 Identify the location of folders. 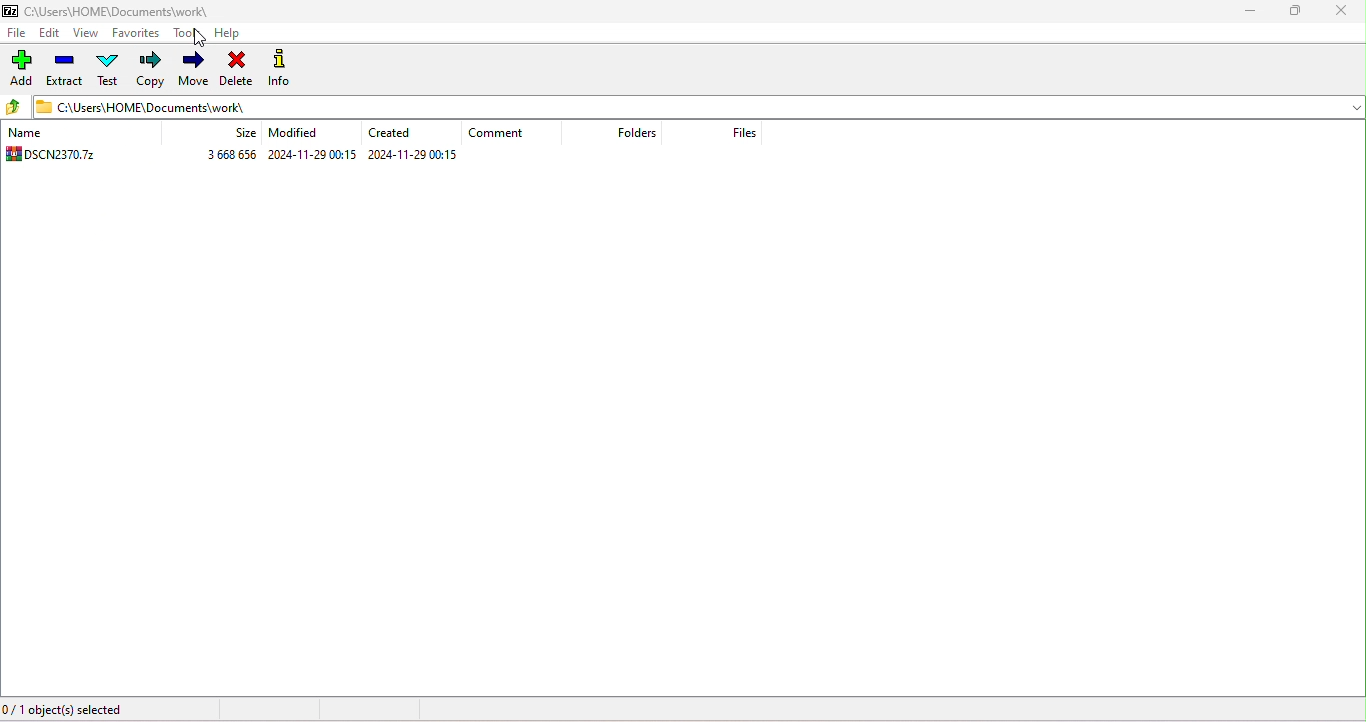
(624, 133).